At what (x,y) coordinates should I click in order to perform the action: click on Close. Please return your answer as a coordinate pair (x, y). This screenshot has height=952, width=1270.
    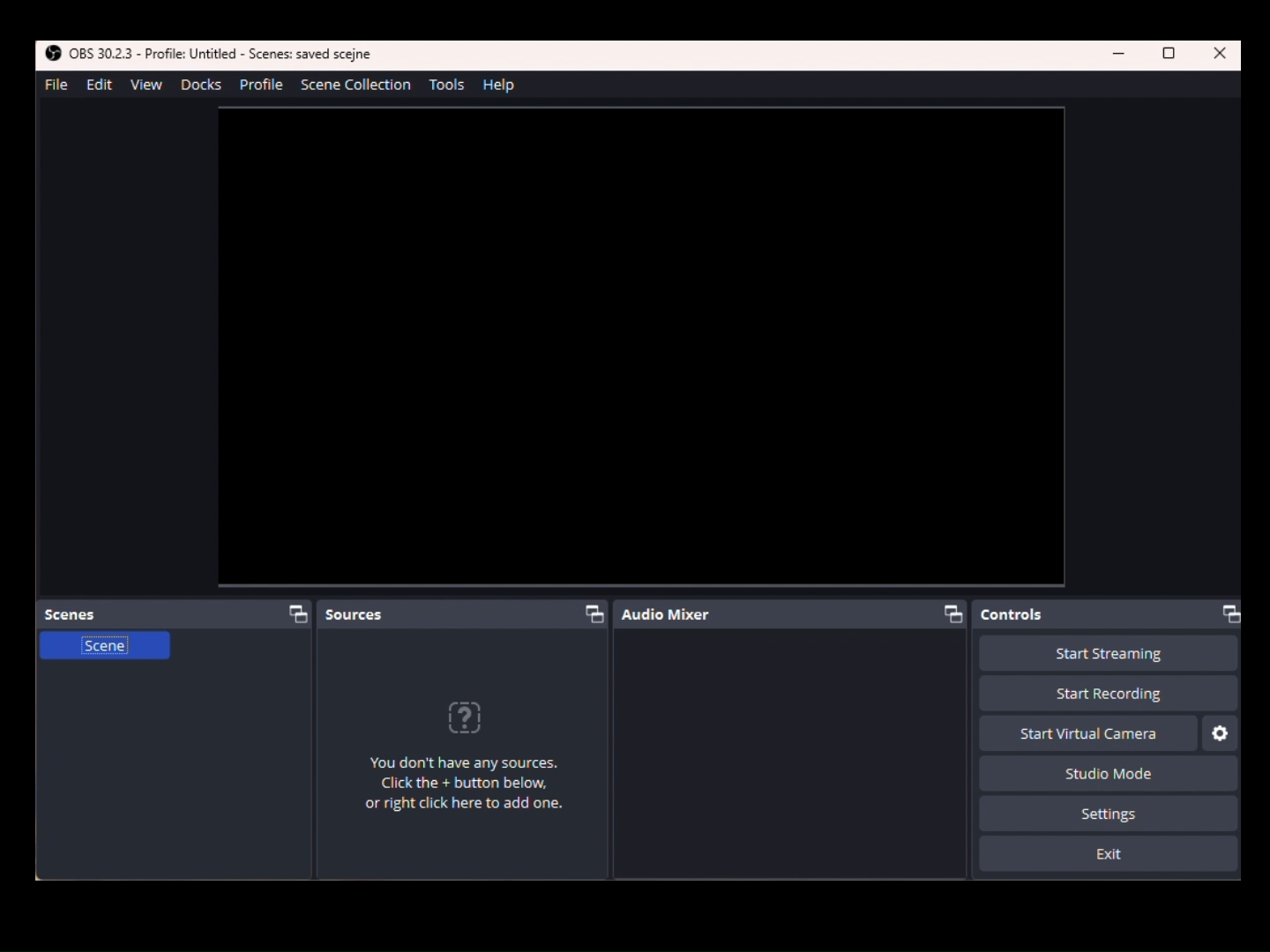
    Looking at the image, I should click on (1221, 54).